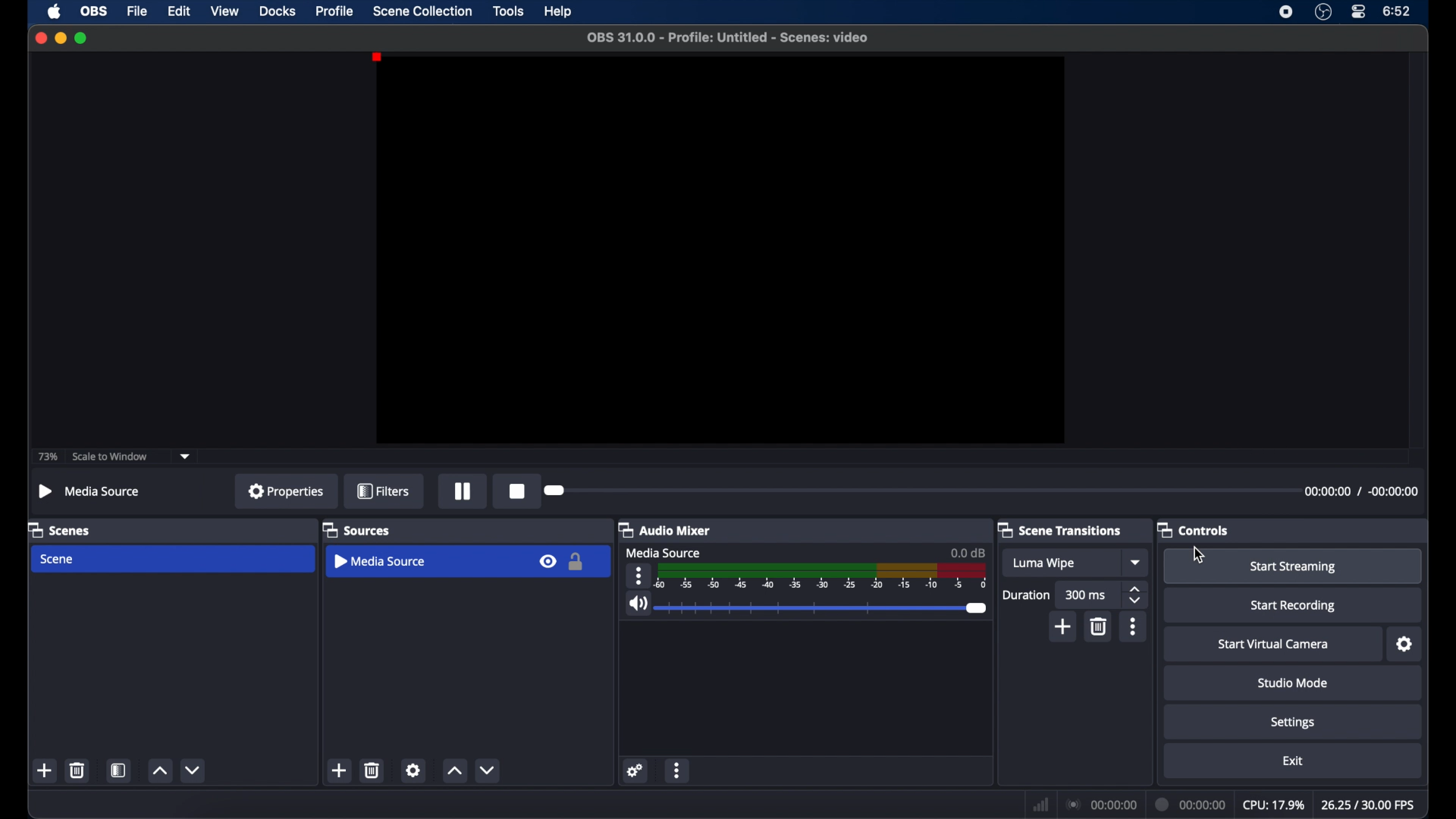  What do you see at coordinates (40, 37) in the screenshot?
I see `close` at bounding box center [40, 37].